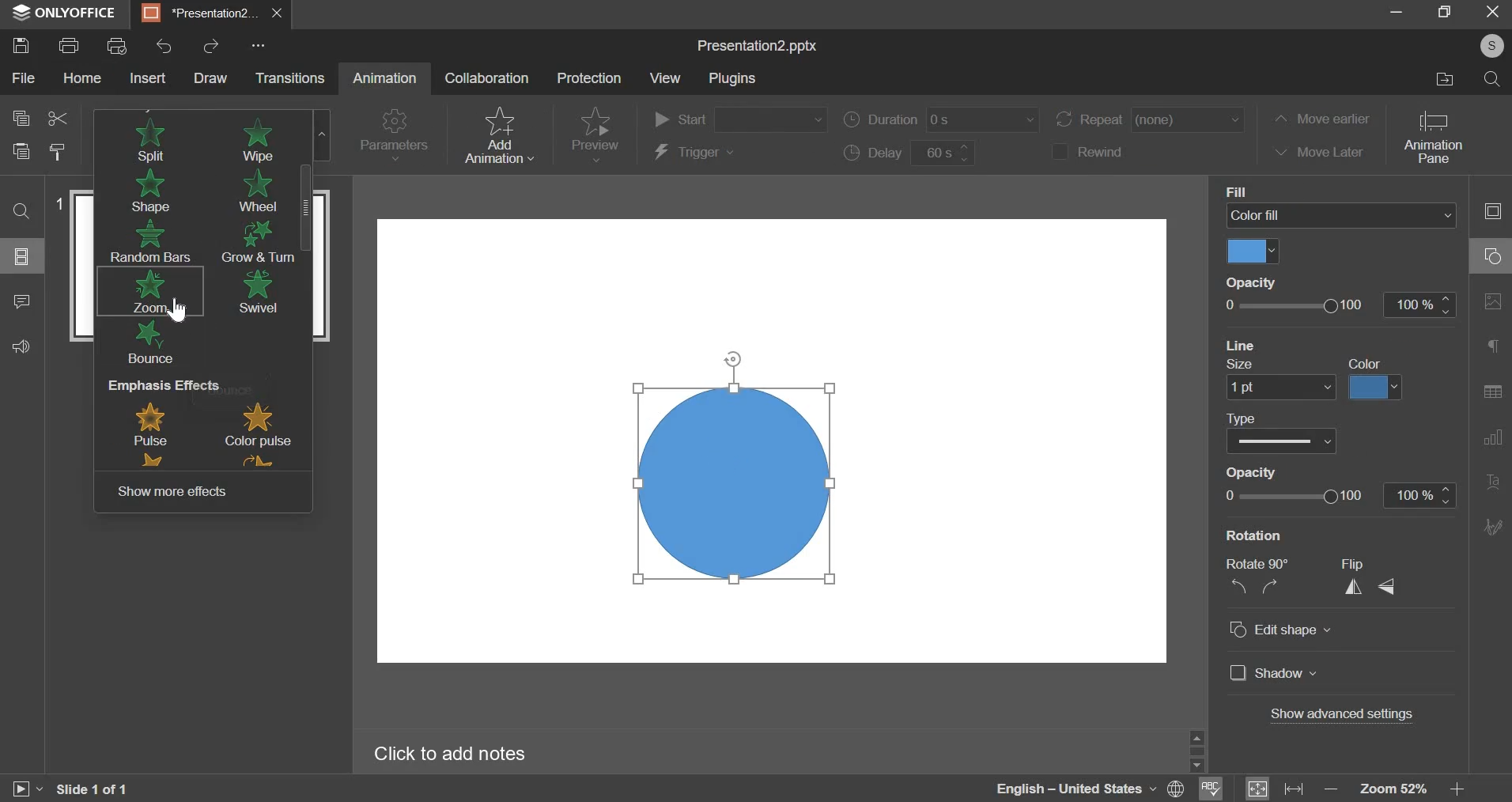 Image resolution: width=1512 pixels, height=802 pixels. What do you see at coordinates (776, 433) in the screenshot?
I see `slide area` at bounding box center [776, 433].